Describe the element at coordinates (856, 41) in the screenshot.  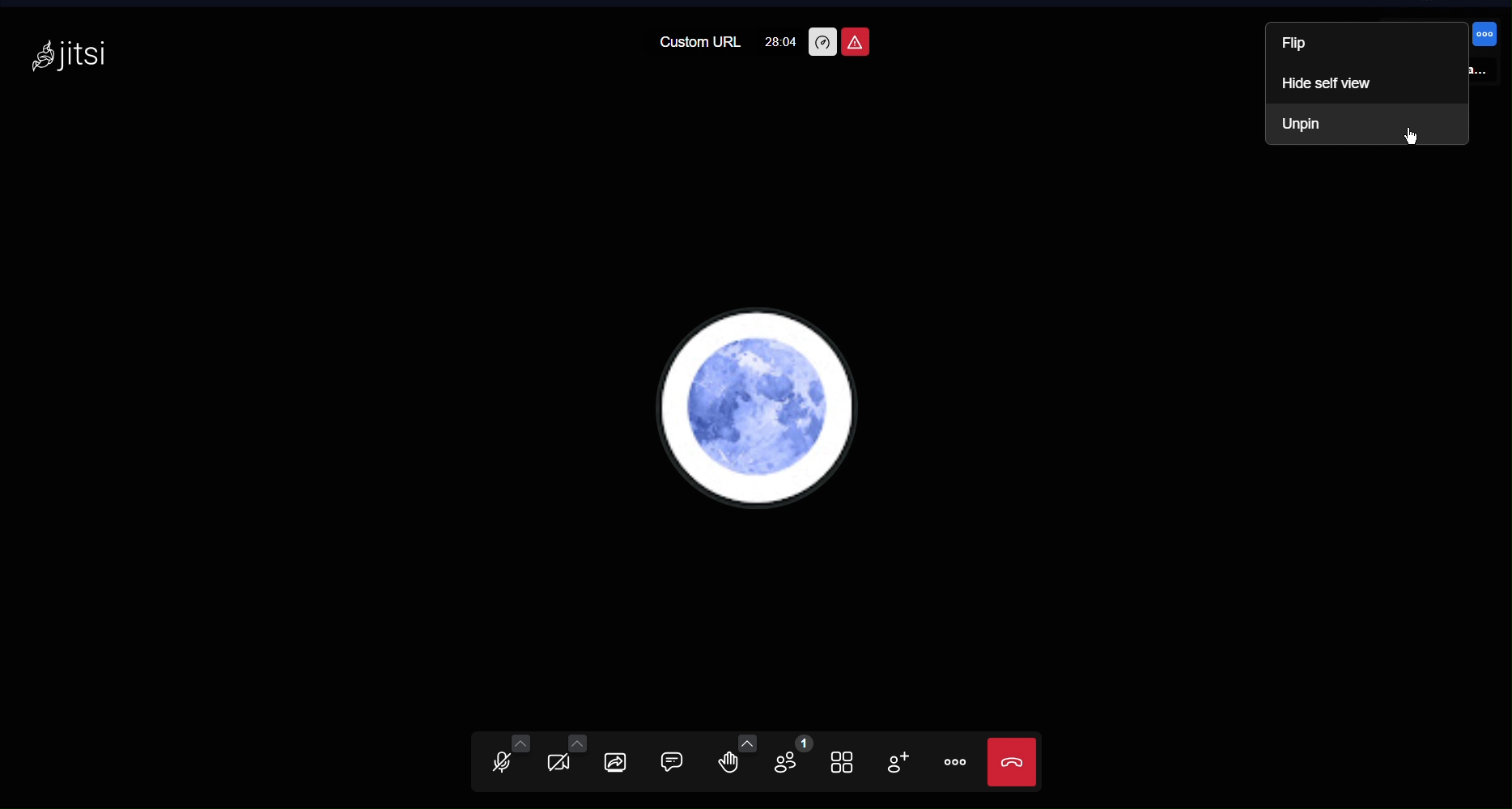
I see `Unsafe Meeting` at that location.